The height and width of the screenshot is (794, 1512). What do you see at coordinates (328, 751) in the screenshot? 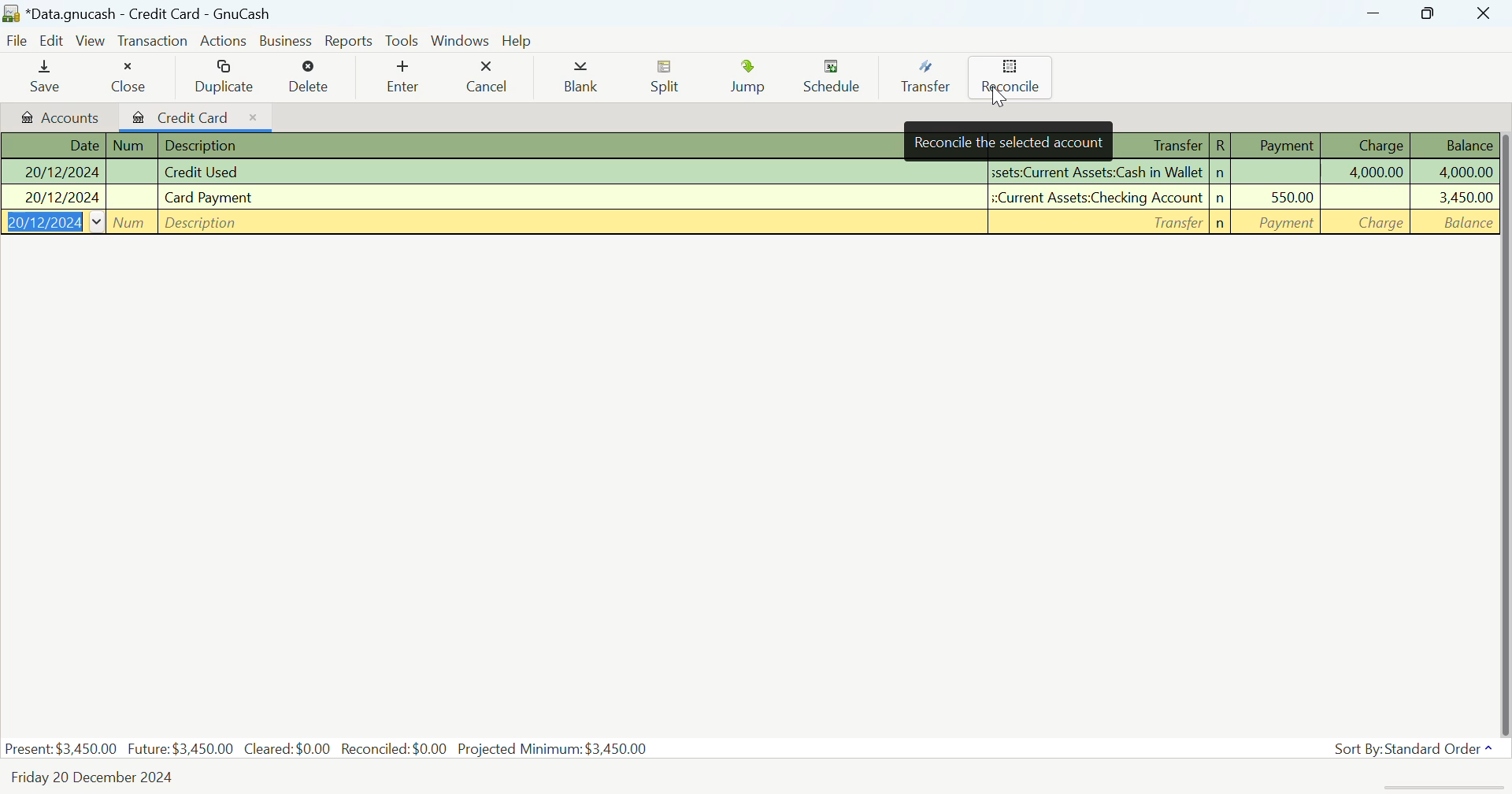
I see `Present: $3,450.00 Future: $3,450.00 Cleared:$0.00 Reconciled:$0.00 Projected Minimum: $3,450.00` at bounding box center [328, 751].